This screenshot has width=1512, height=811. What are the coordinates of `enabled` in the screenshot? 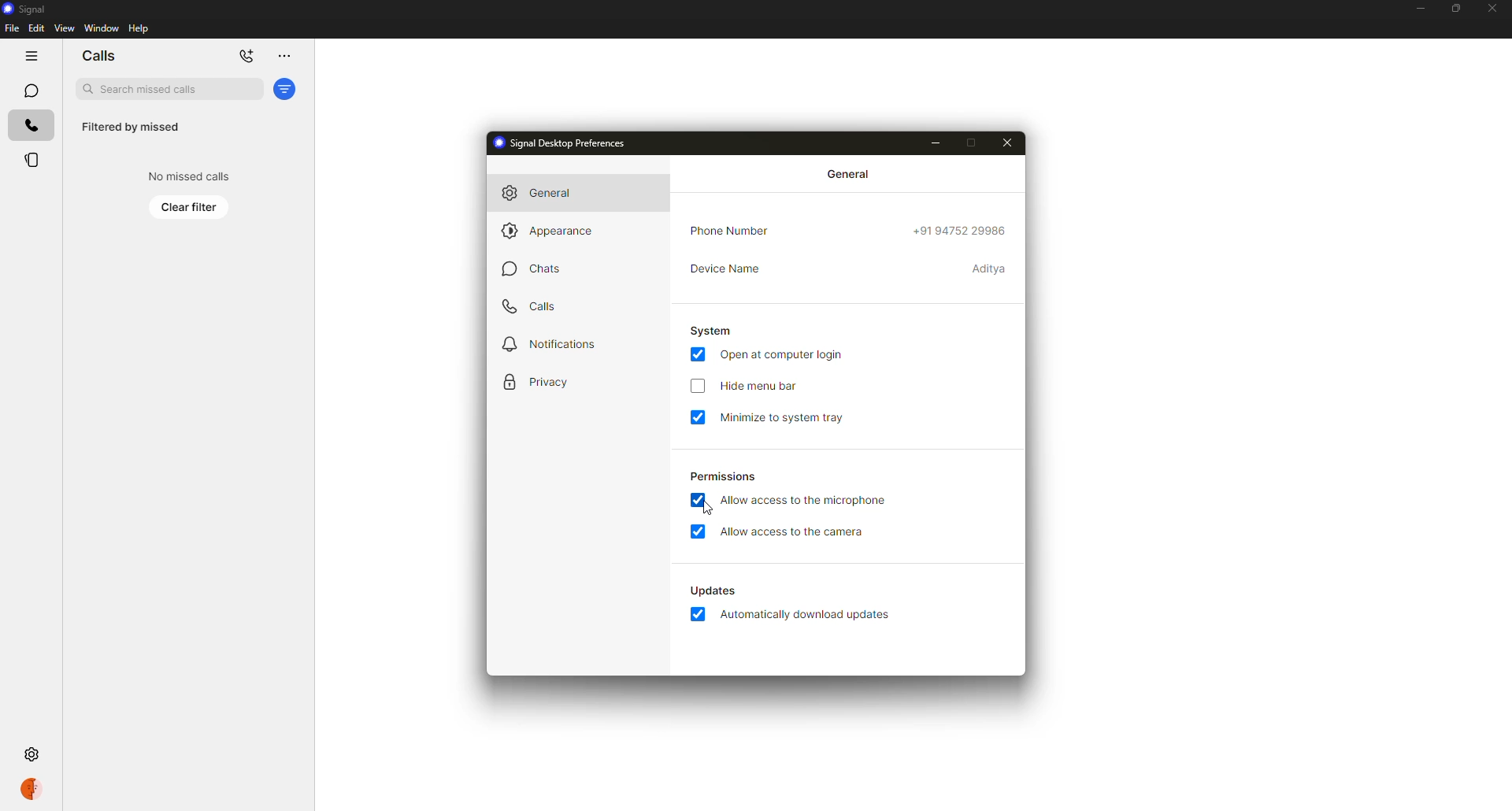 It's located at (701, 613).